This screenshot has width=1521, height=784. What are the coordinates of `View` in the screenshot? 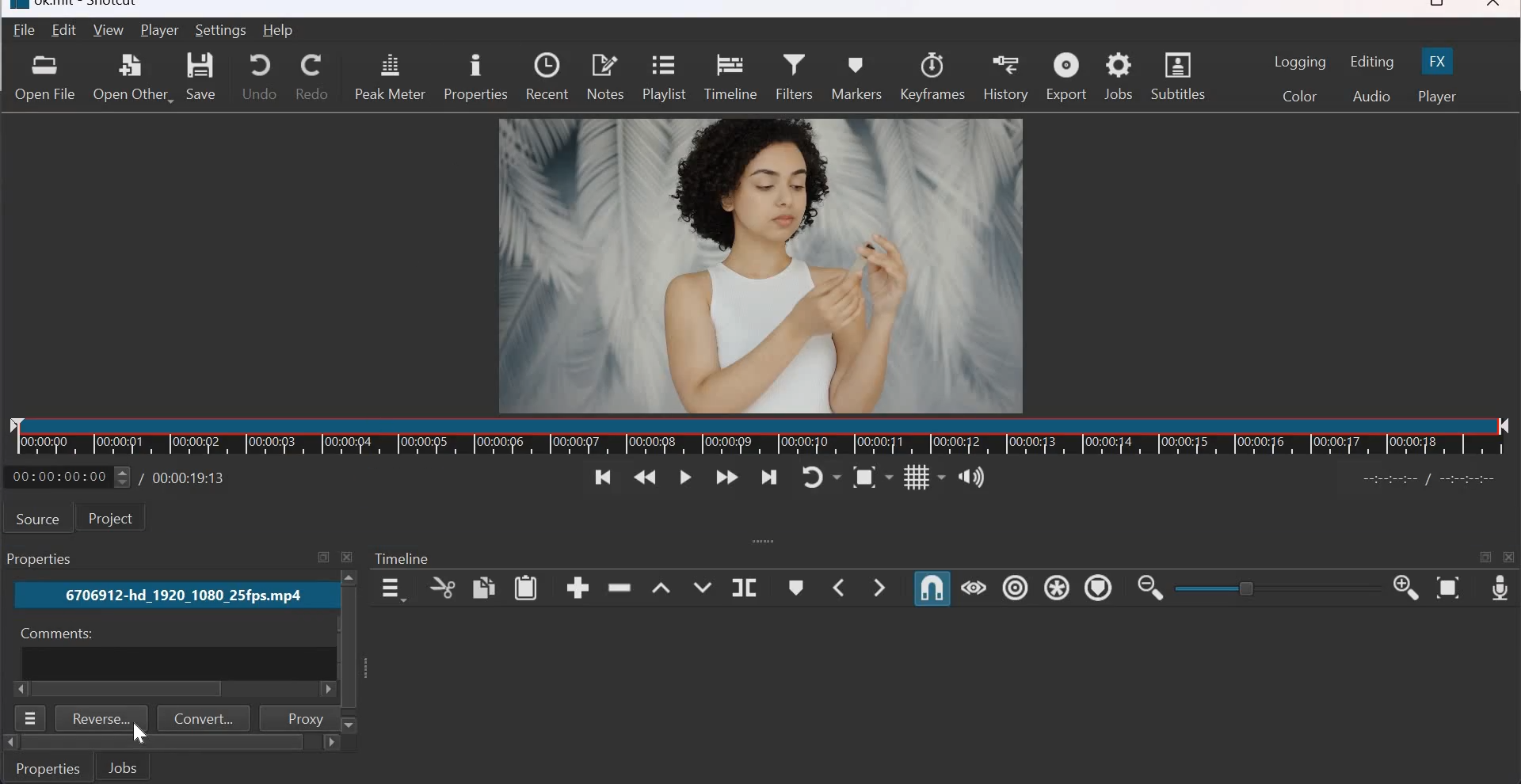 It's located at (109, 29).